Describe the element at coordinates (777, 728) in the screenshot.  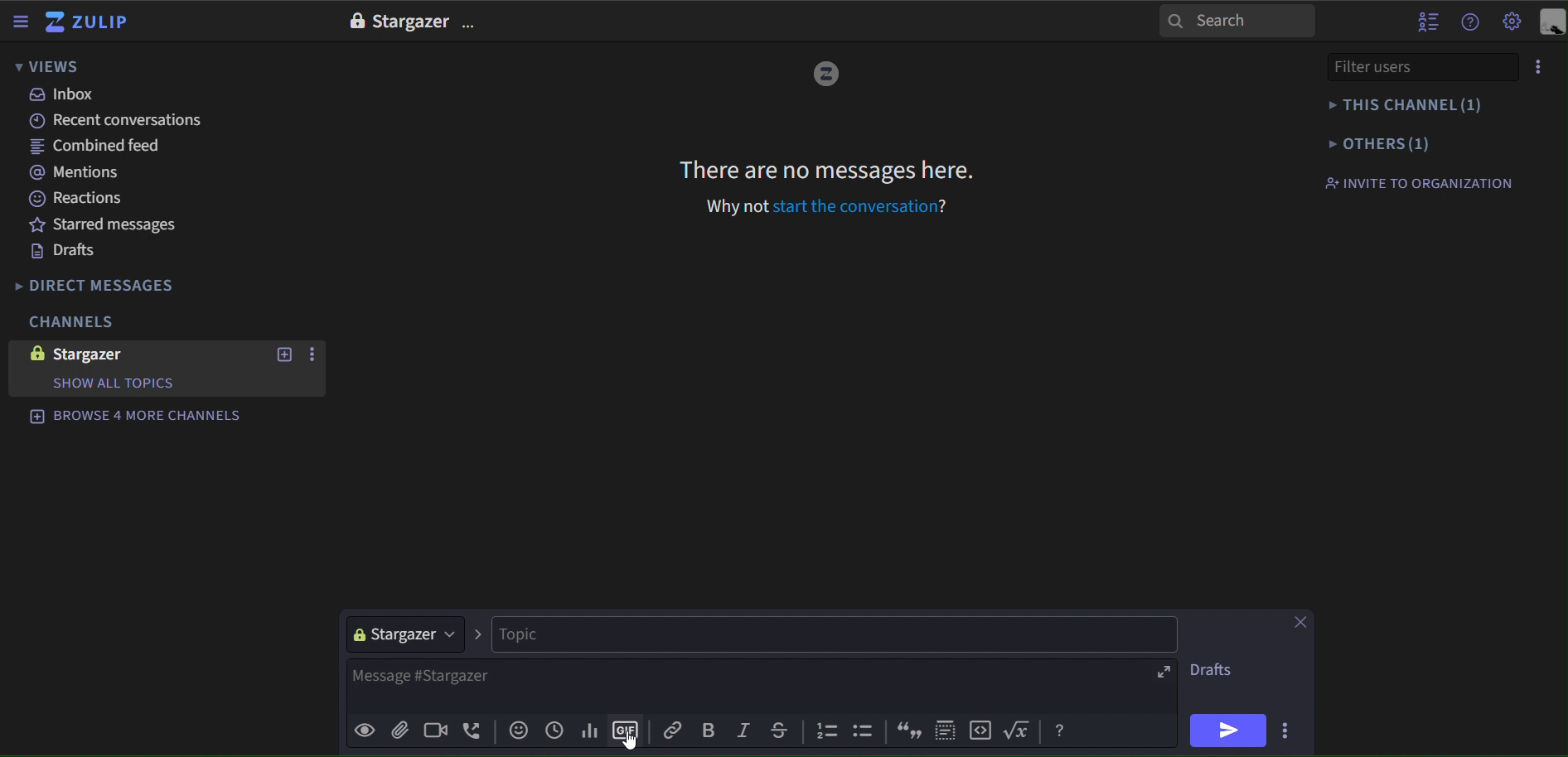
I see `strike through` at that location.